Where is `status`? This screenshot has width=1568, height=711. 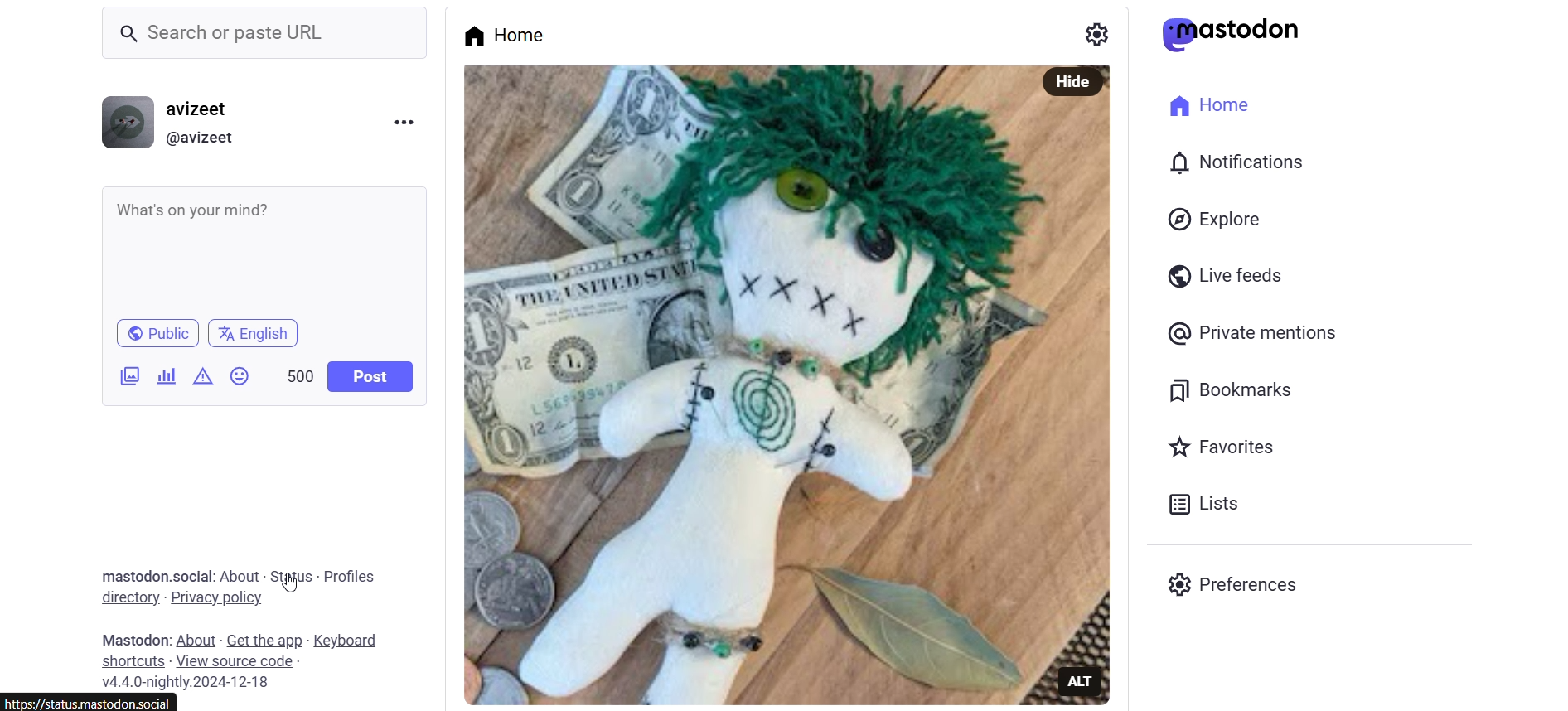
status is located at coordinates (290, 574).